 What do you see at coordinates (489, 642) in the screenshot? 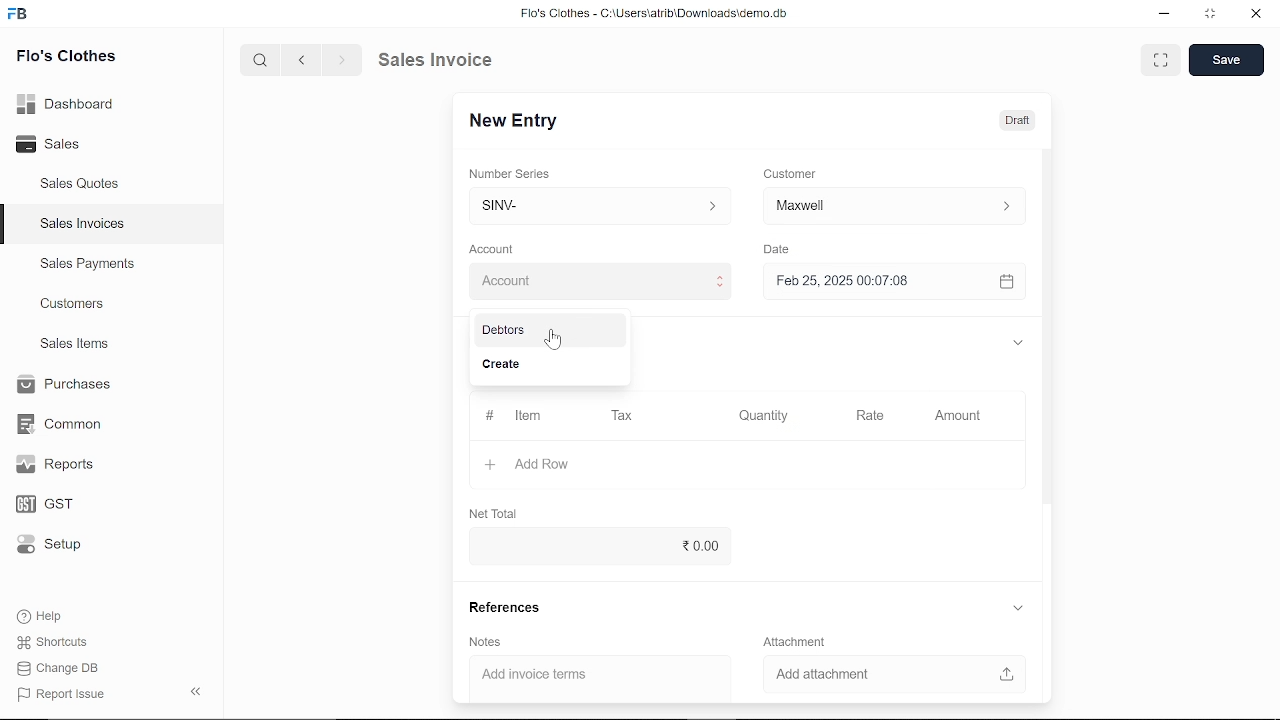
I see `‘Notes` at bounding box center [489, 642].